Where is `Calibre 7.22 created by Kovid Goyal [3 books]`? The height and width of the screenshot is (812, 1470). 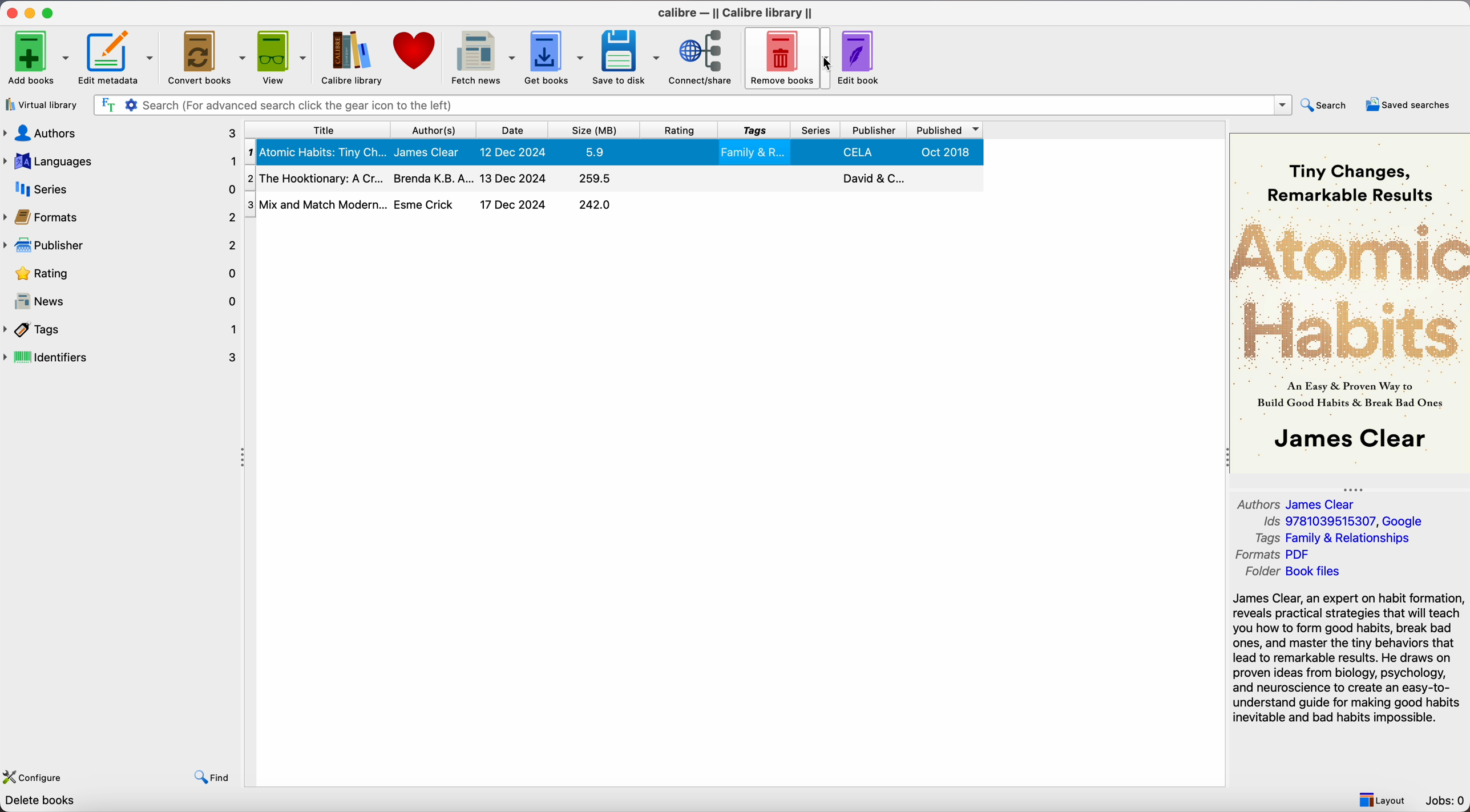 Calibre 7.22 created by Kovid Goyal [3 books] is located at coordinates (127, 803).